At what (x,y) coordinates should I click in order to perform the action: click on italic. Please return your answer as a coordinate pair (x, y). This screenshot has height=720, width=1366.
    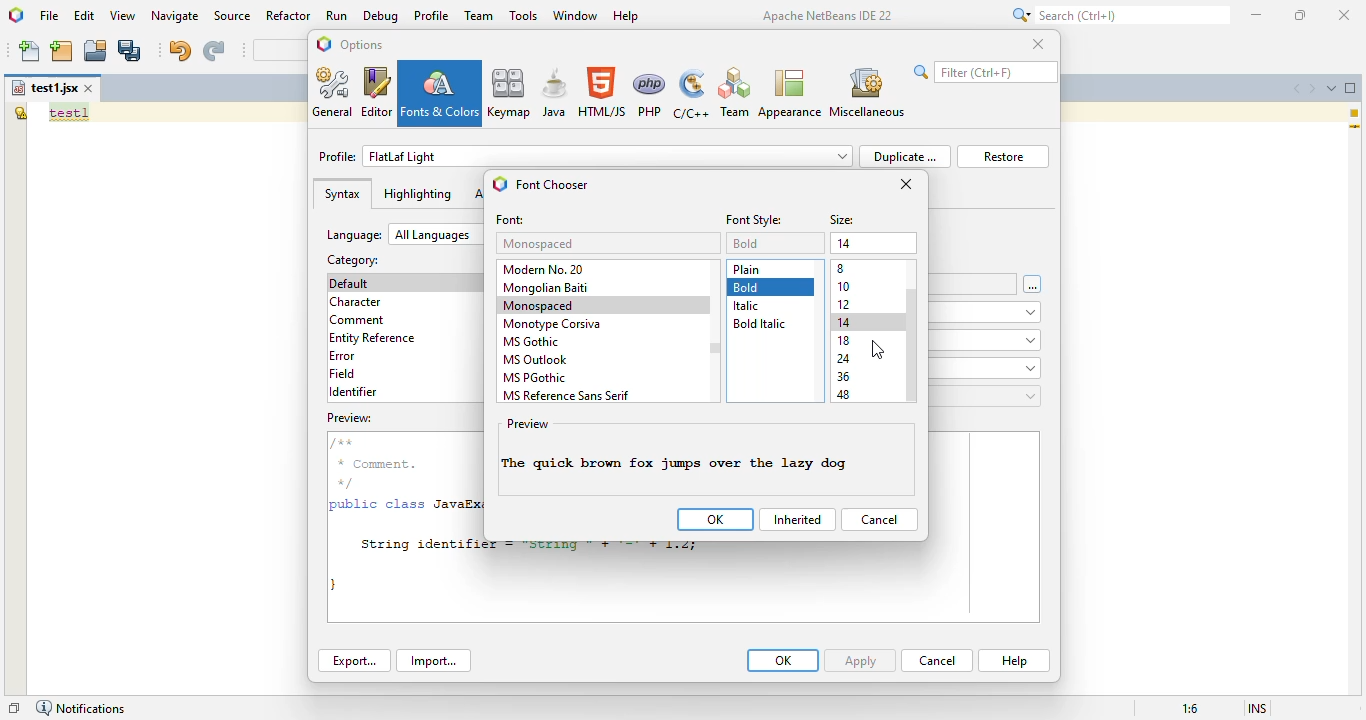
    Looking at the image, I should click on (745, 306).